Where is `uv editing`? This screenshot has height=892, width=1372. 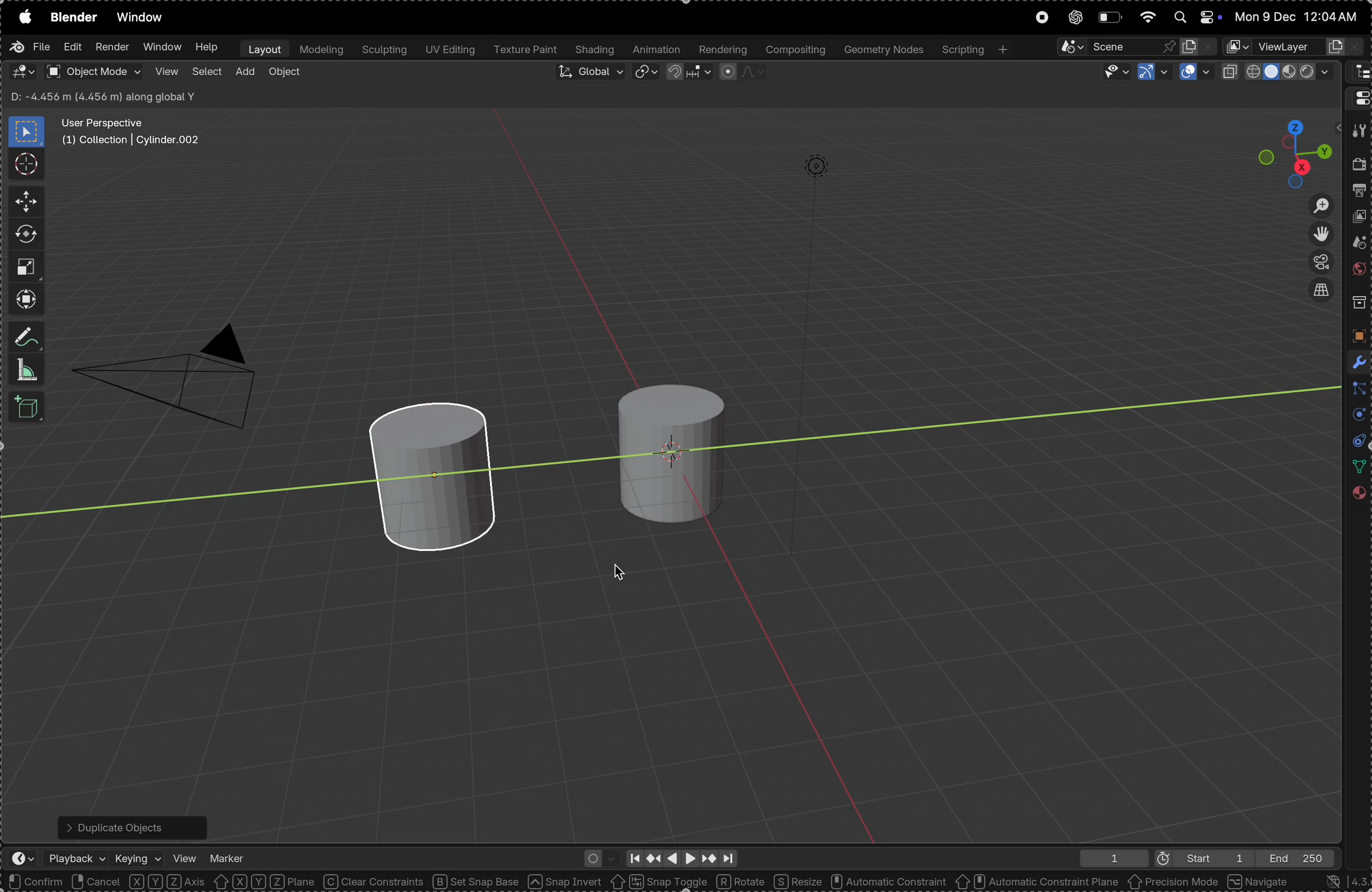
uv editing is located at coordinates (448, 51).